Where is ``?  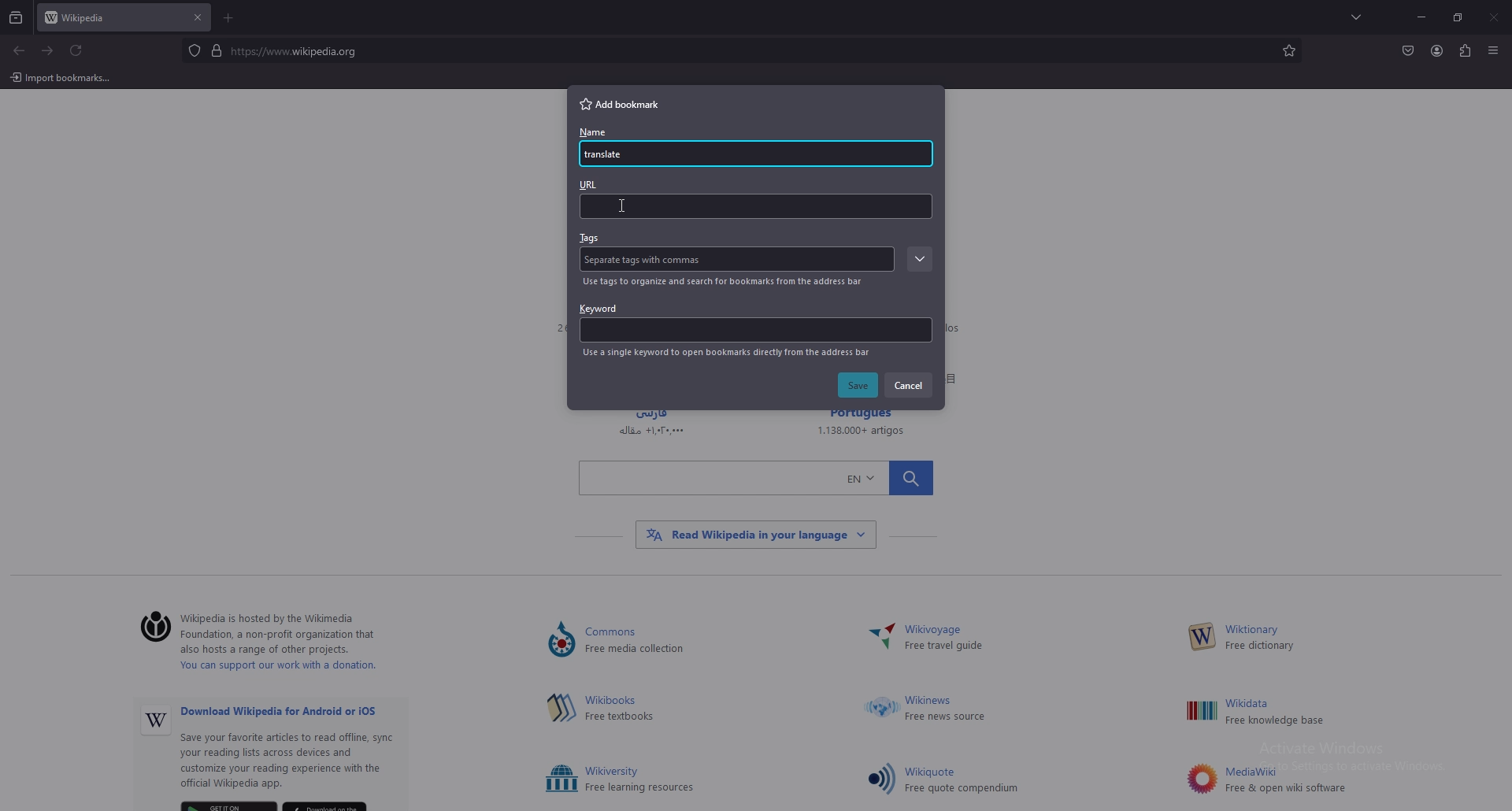
 is located at coordinates (300, 750).